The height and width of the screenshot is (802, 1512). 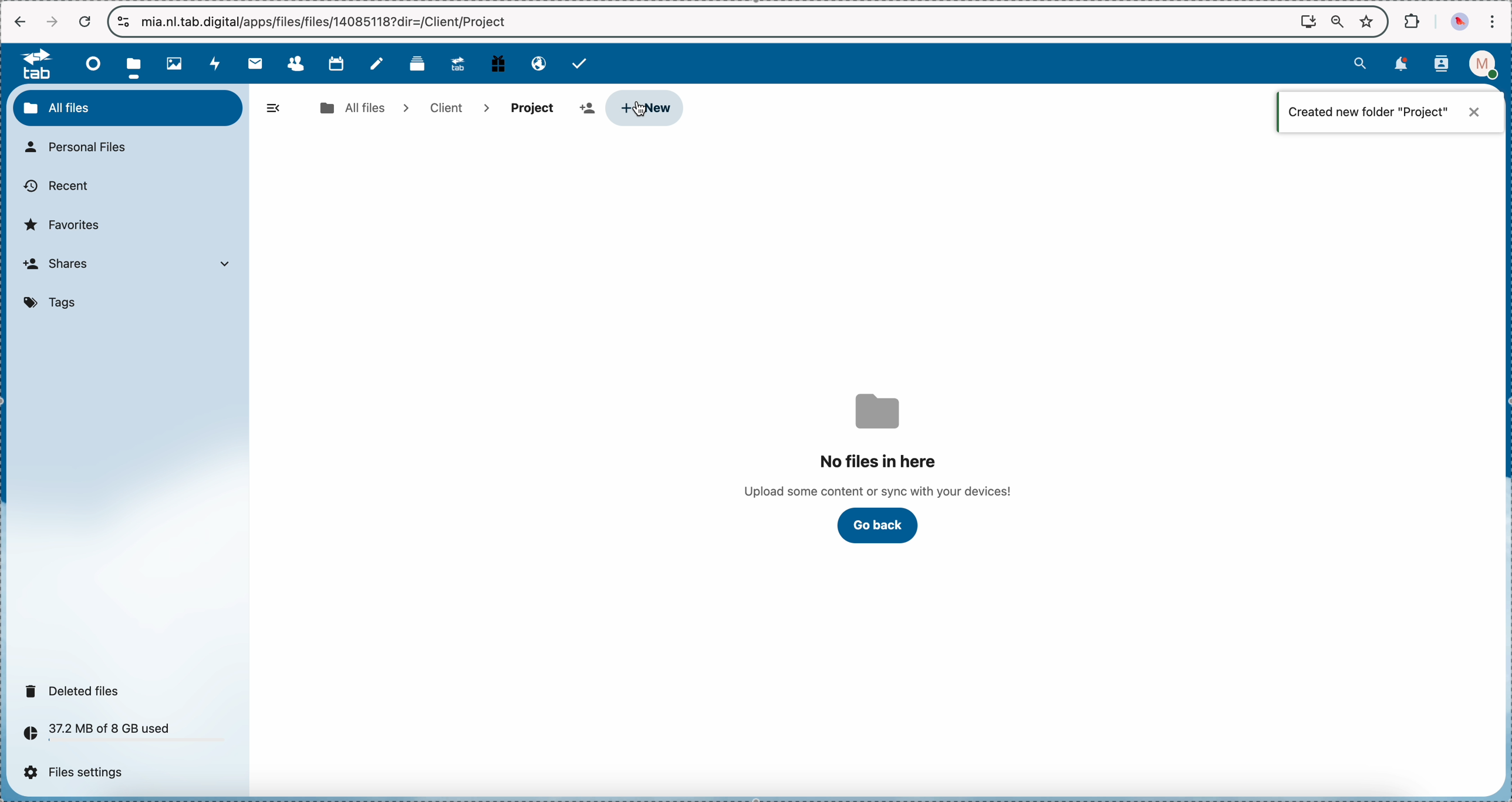 I want to click on calendar, so click(x=336, y=62).